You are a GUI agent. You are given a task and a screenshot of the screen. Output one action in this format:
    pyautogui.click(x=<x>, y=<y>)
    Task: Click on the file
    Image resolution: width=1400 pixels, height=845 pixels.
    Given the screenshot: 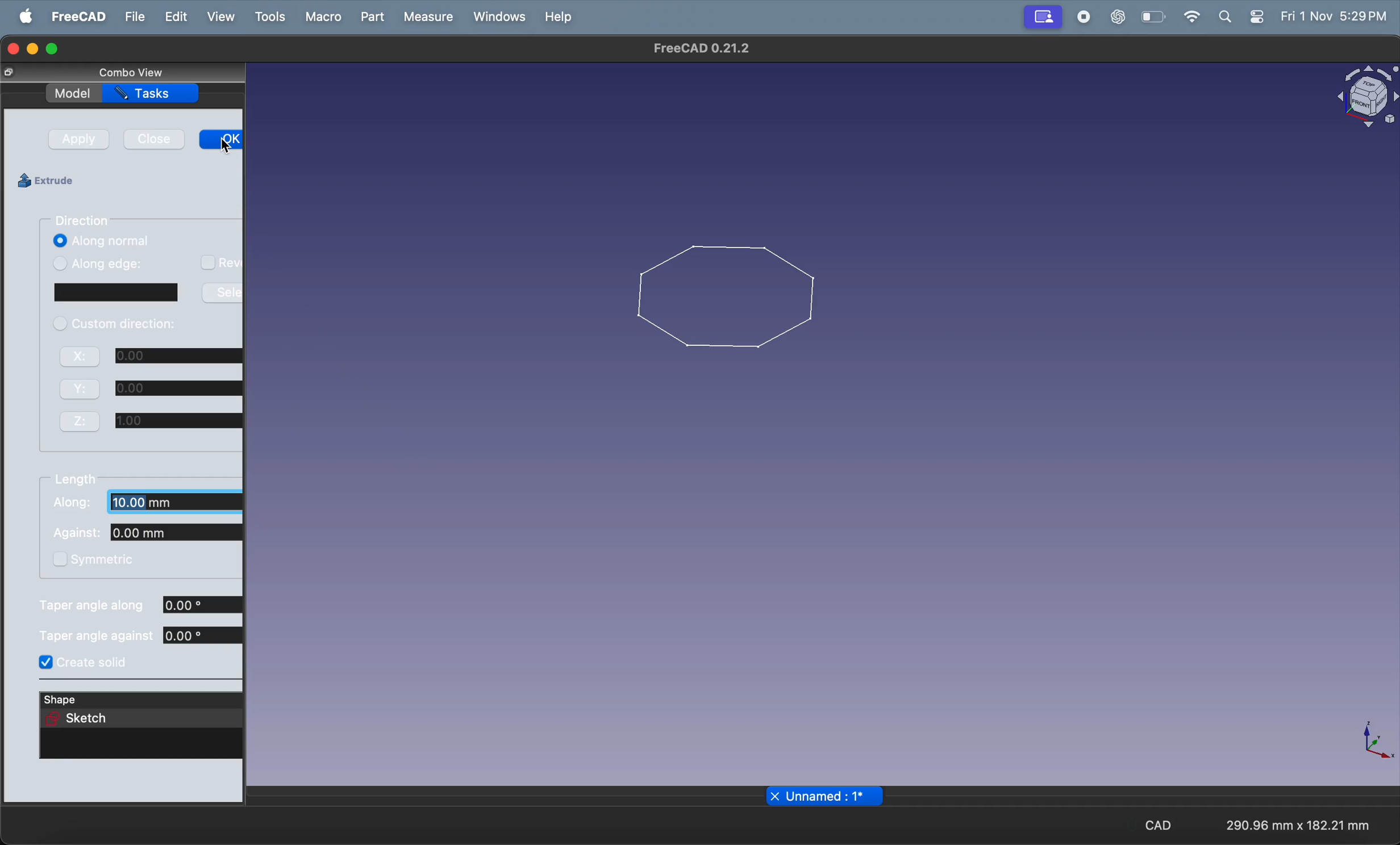 What is the action you would take?
    pyautogui.click(x=134, y=15)
    